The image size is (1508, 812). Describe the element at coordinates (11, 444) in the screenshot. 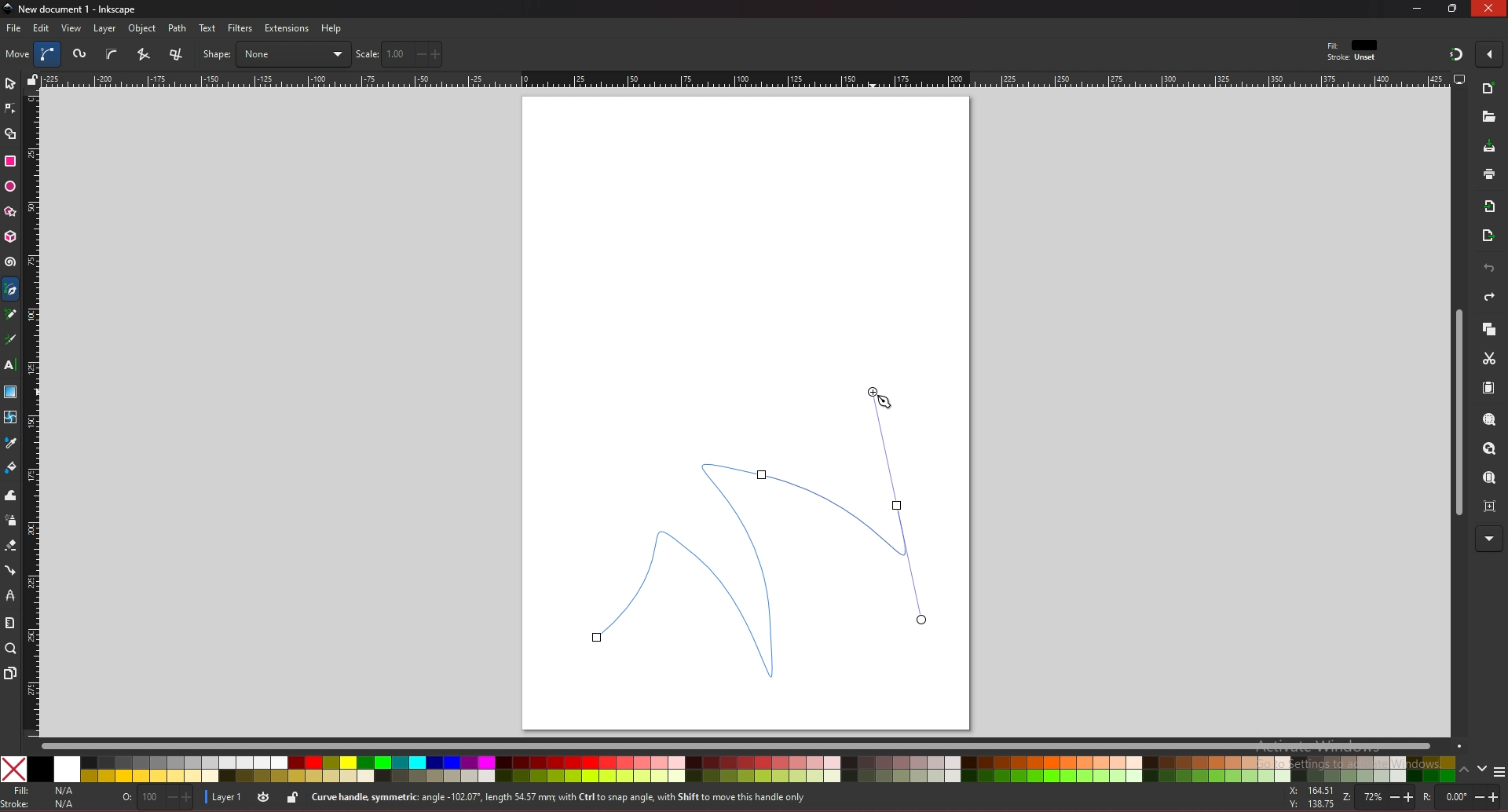

I see `dropper` at that location.